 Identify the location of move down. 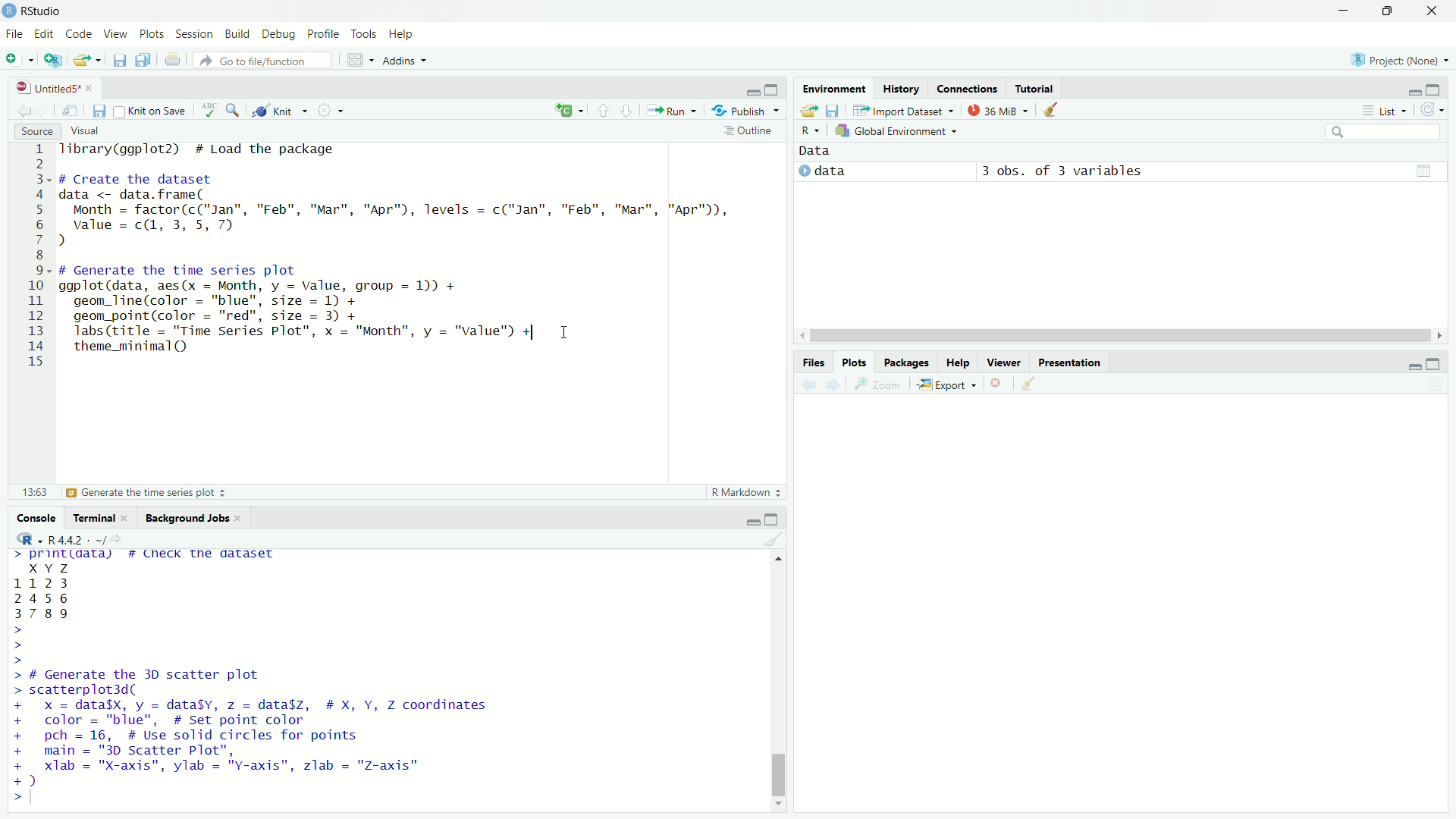
(780, 808).